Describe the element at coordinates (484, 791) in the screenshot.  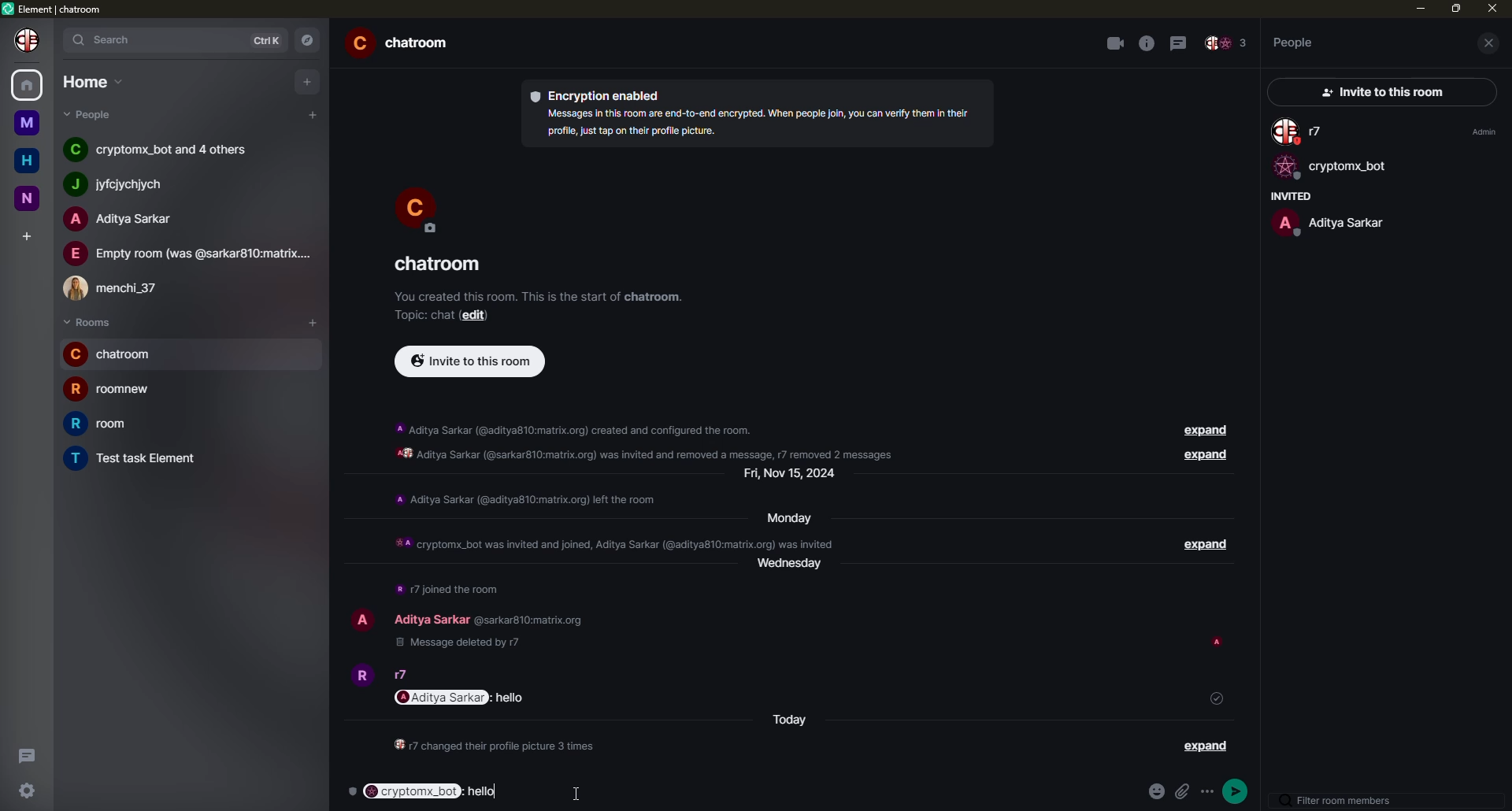
I see `hello` at that location.